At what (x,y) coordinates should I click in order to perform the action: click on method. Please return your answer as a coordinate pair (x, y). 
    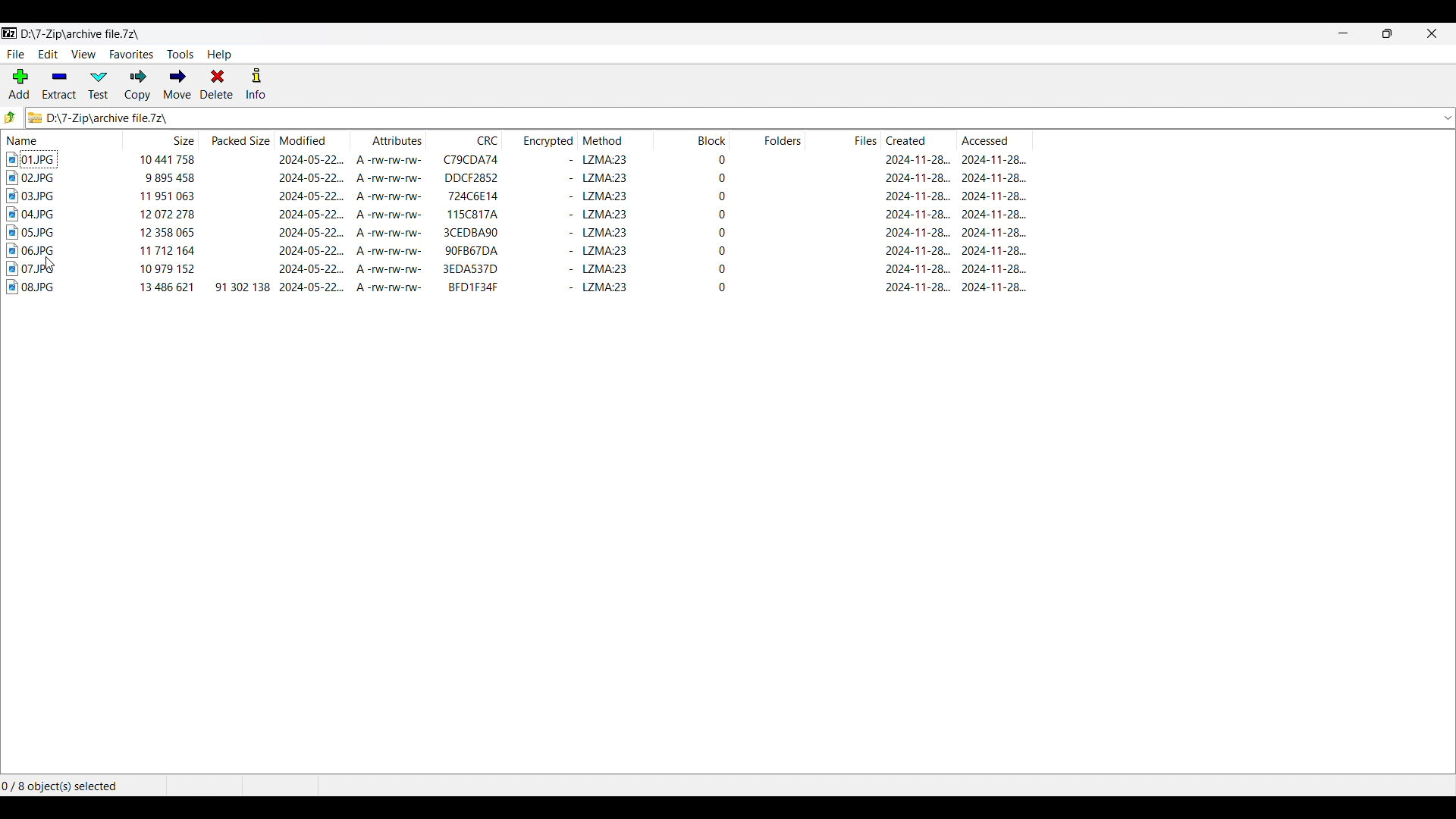
    Looking at the image, I should click on (605, 160).